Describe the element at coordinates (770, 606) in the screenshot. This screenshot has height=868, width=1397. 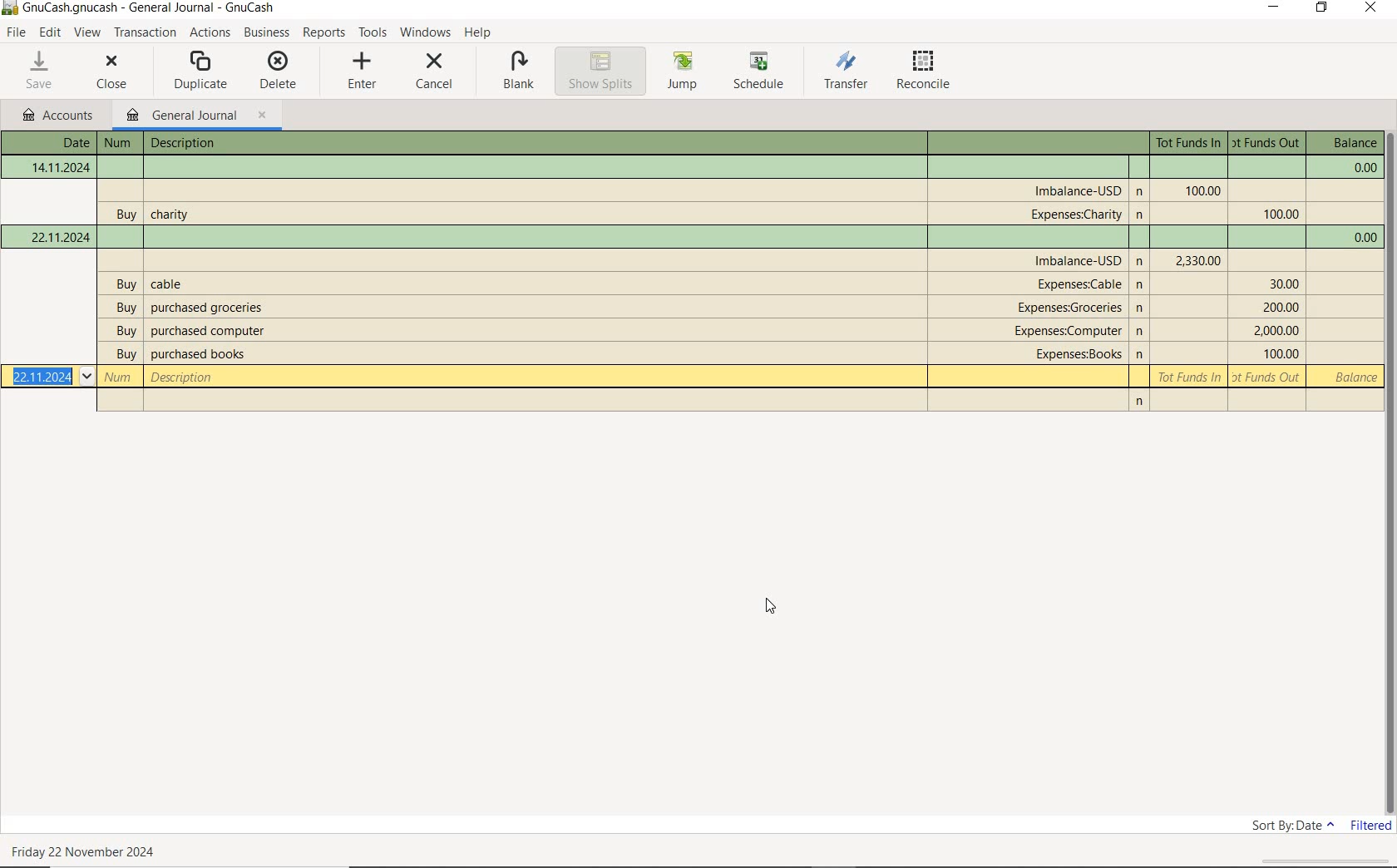
I see `cursor` at that location.